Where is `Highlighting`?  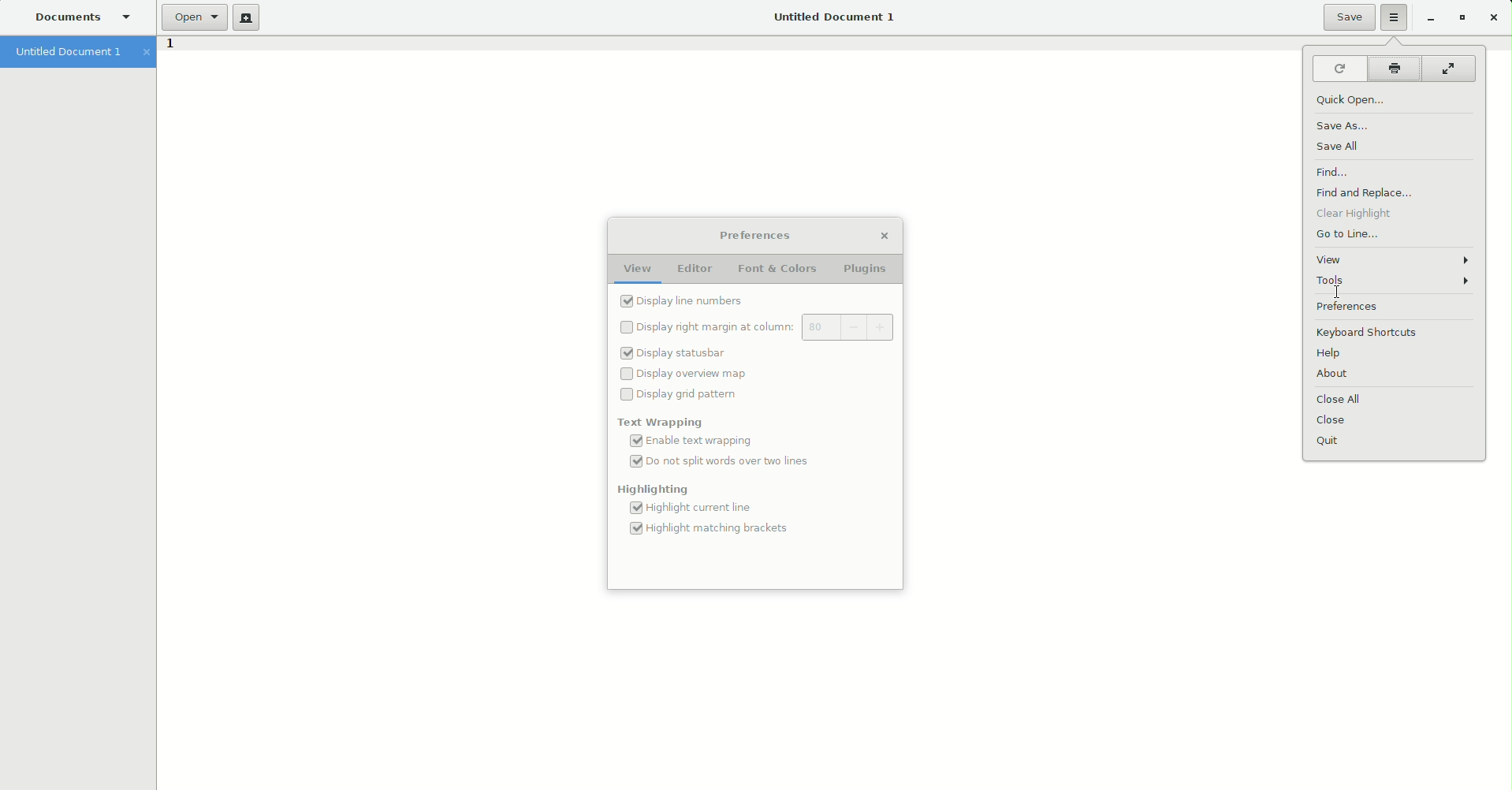
Highlighting is located at coordinates (655, 491).